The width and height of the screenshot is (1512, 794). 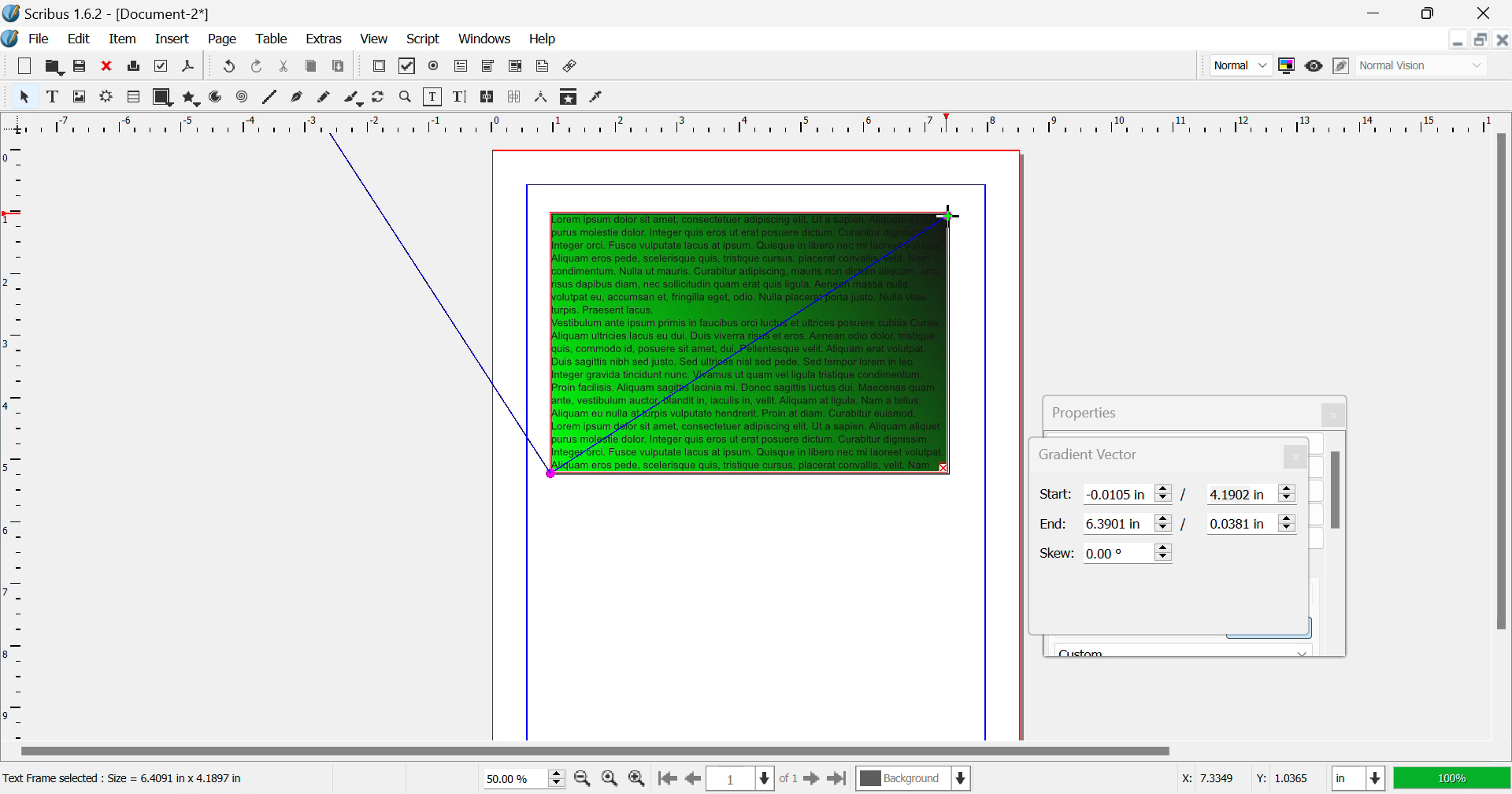 I want to click on Insert, so click(x=173, y=40).